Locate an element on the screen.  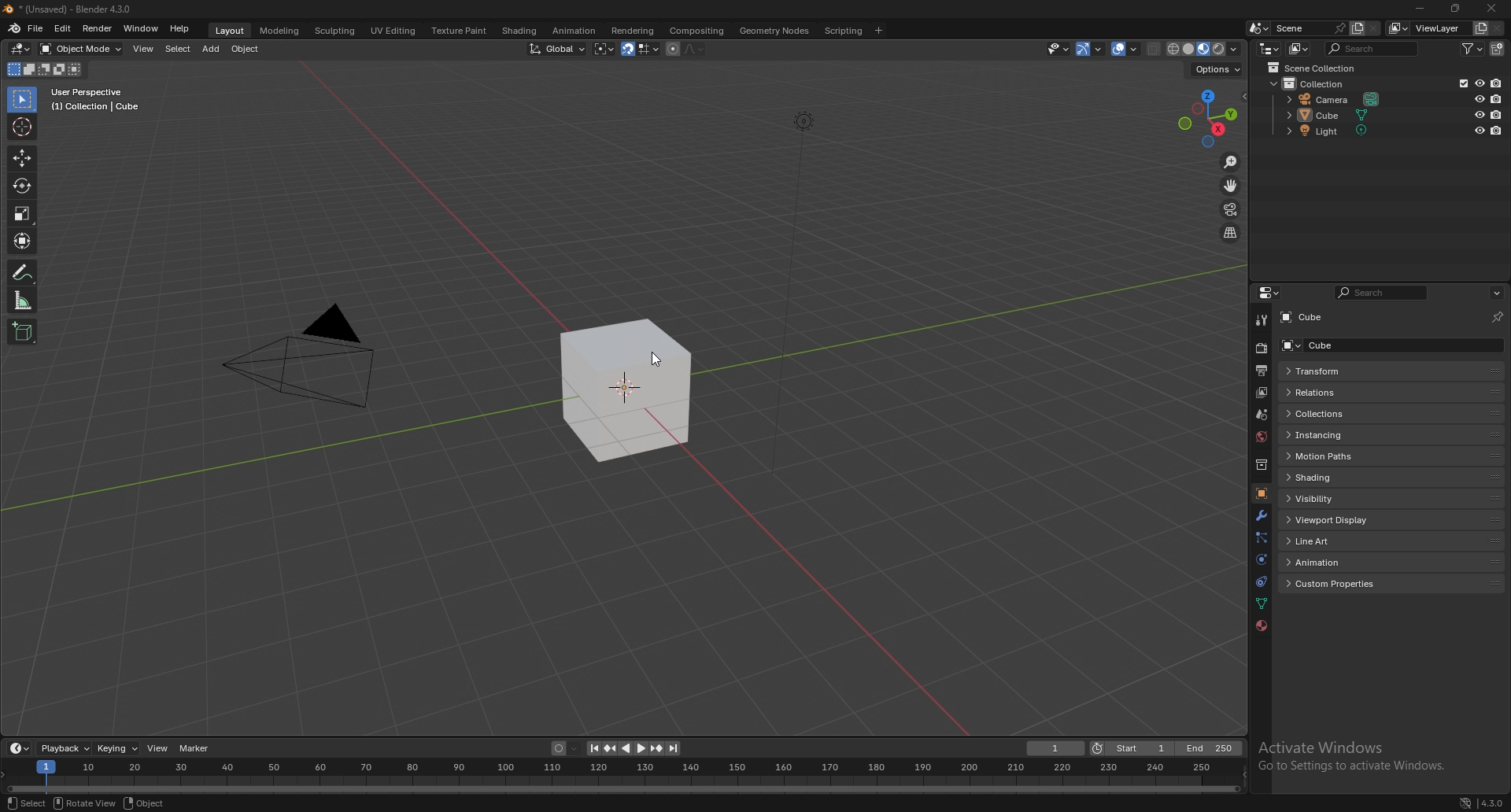
version is located at coordinates (1494, 804).